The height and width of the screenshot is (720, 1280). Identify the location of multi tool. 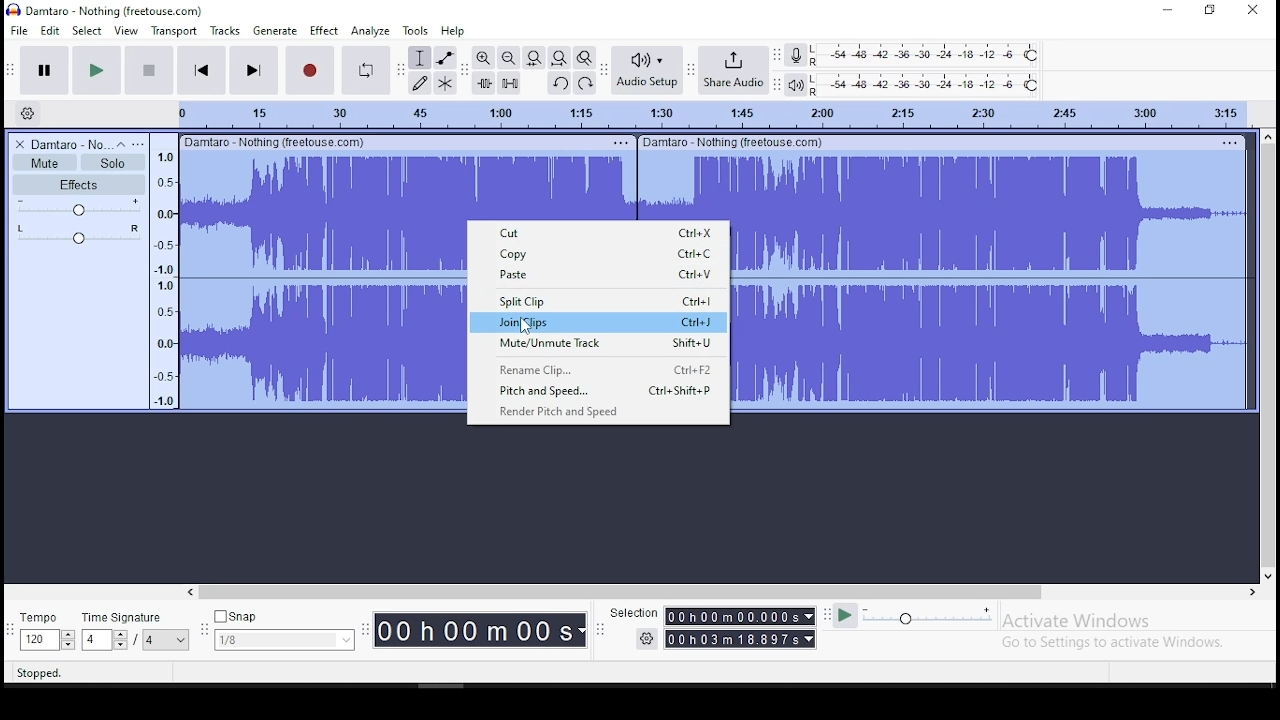
(445, 83).